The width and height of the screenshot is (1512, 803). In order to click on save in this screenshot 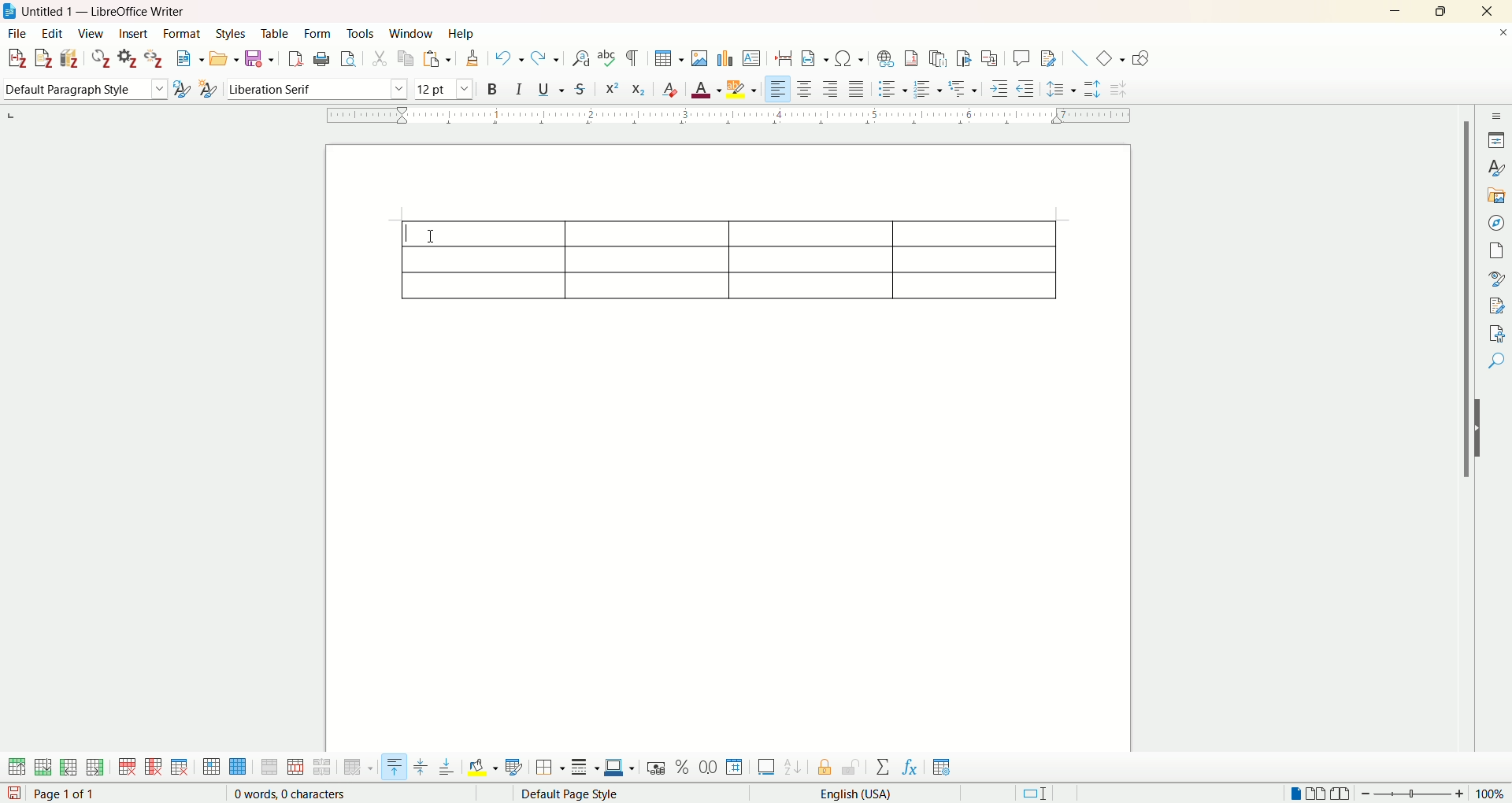, I will do `click(13, 793)`.